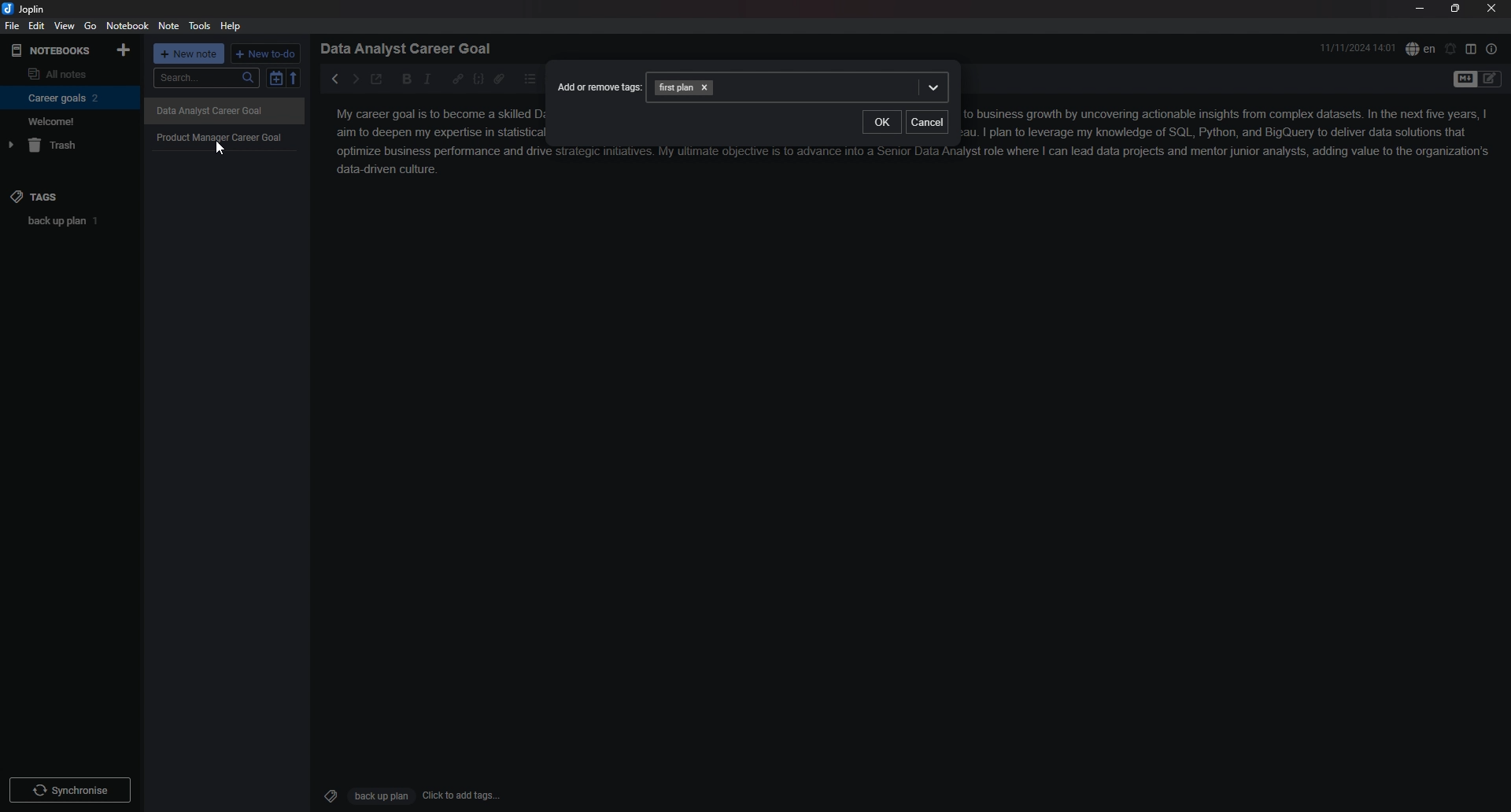  What do you see at coordinates (355, 79) in the screenshot?
I see `next` at bounding box center [355, 79].